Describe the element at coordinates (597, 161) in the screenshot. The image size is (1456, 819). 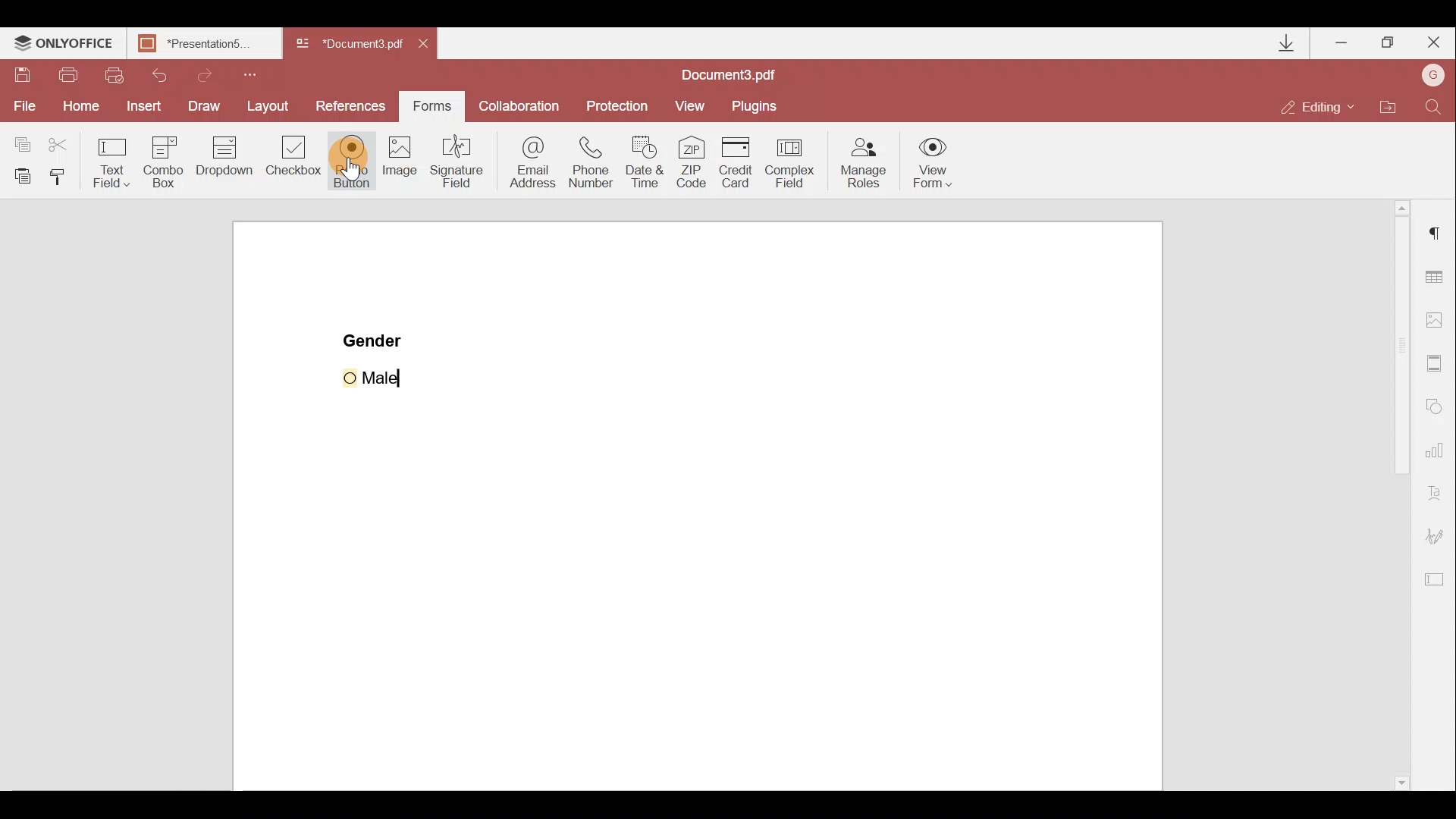
I see `Phone number` at that location.